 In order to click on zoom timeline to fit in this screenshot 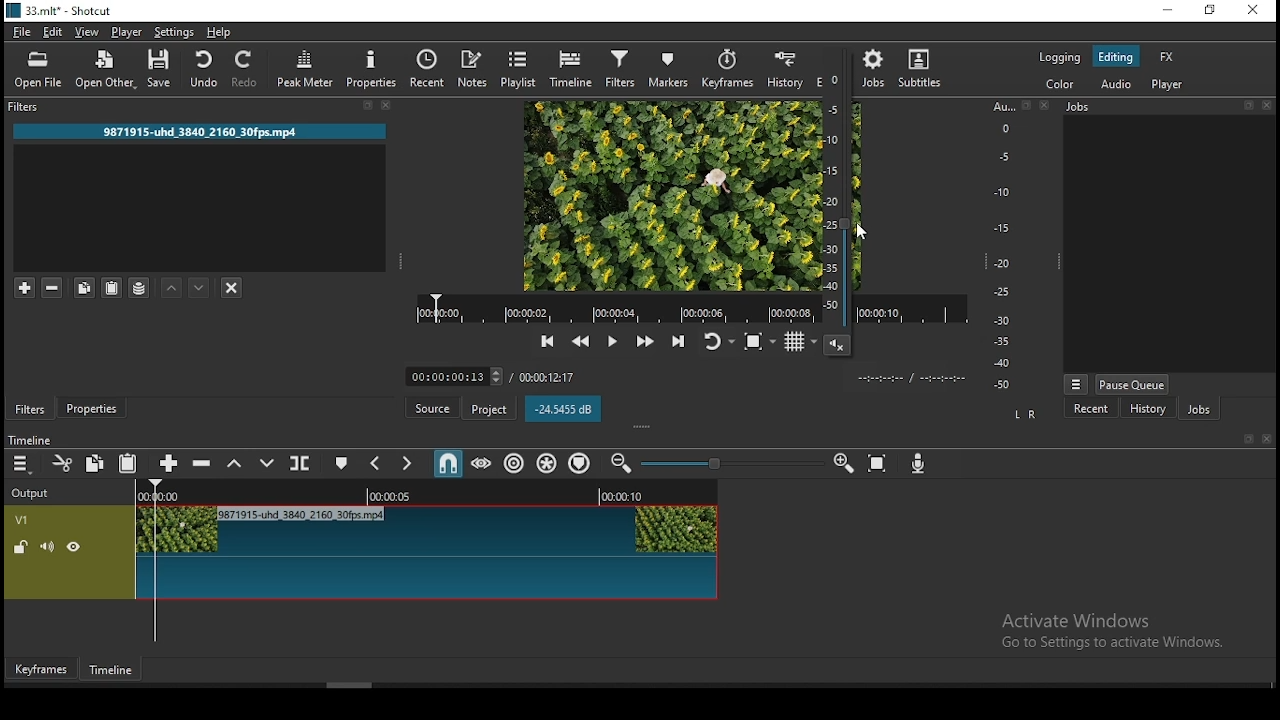, I will do `click(879, 463)`.